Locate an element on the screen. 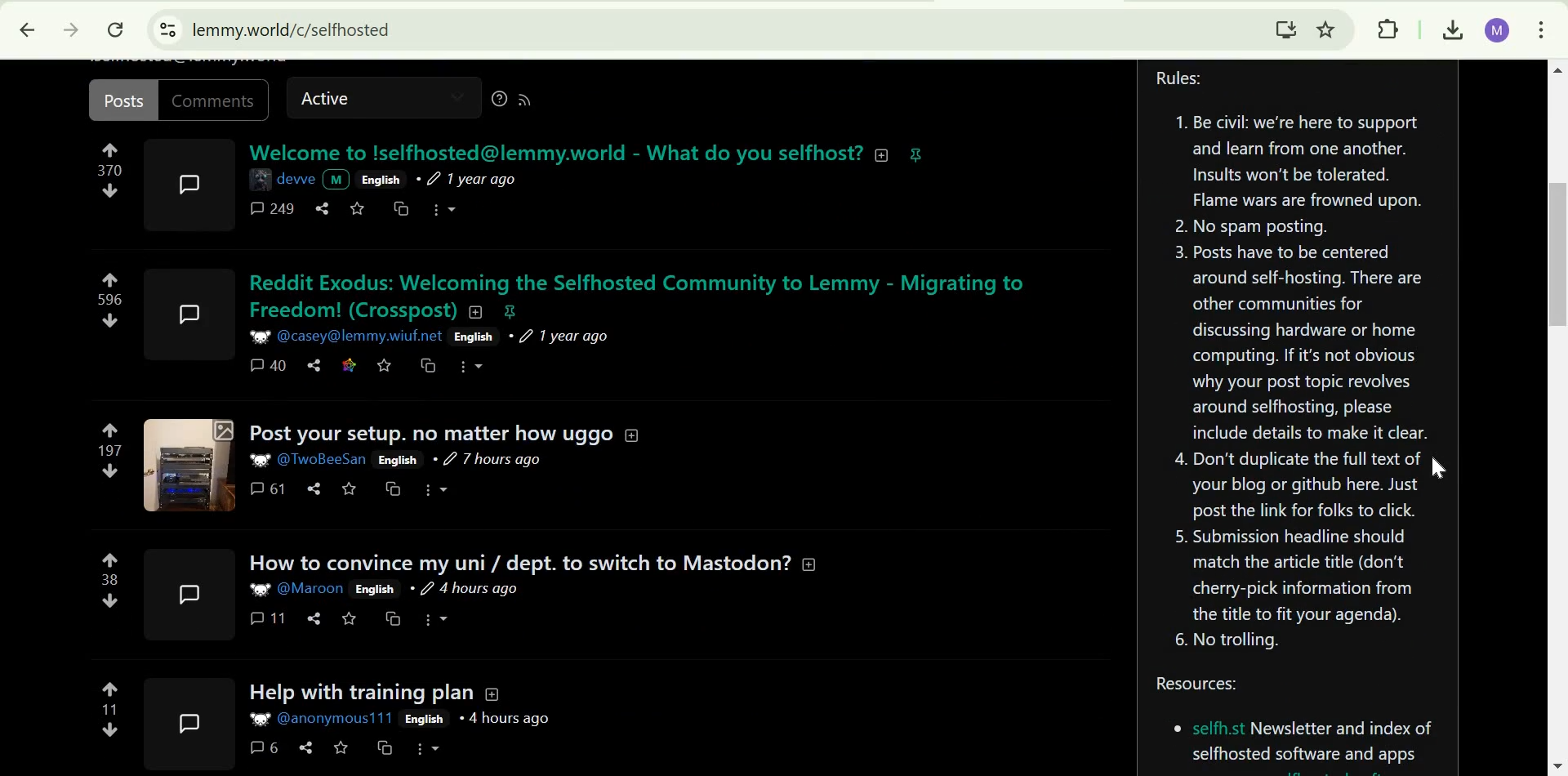 The image size is (1568, 776). link is located at coordinates (350, 364).